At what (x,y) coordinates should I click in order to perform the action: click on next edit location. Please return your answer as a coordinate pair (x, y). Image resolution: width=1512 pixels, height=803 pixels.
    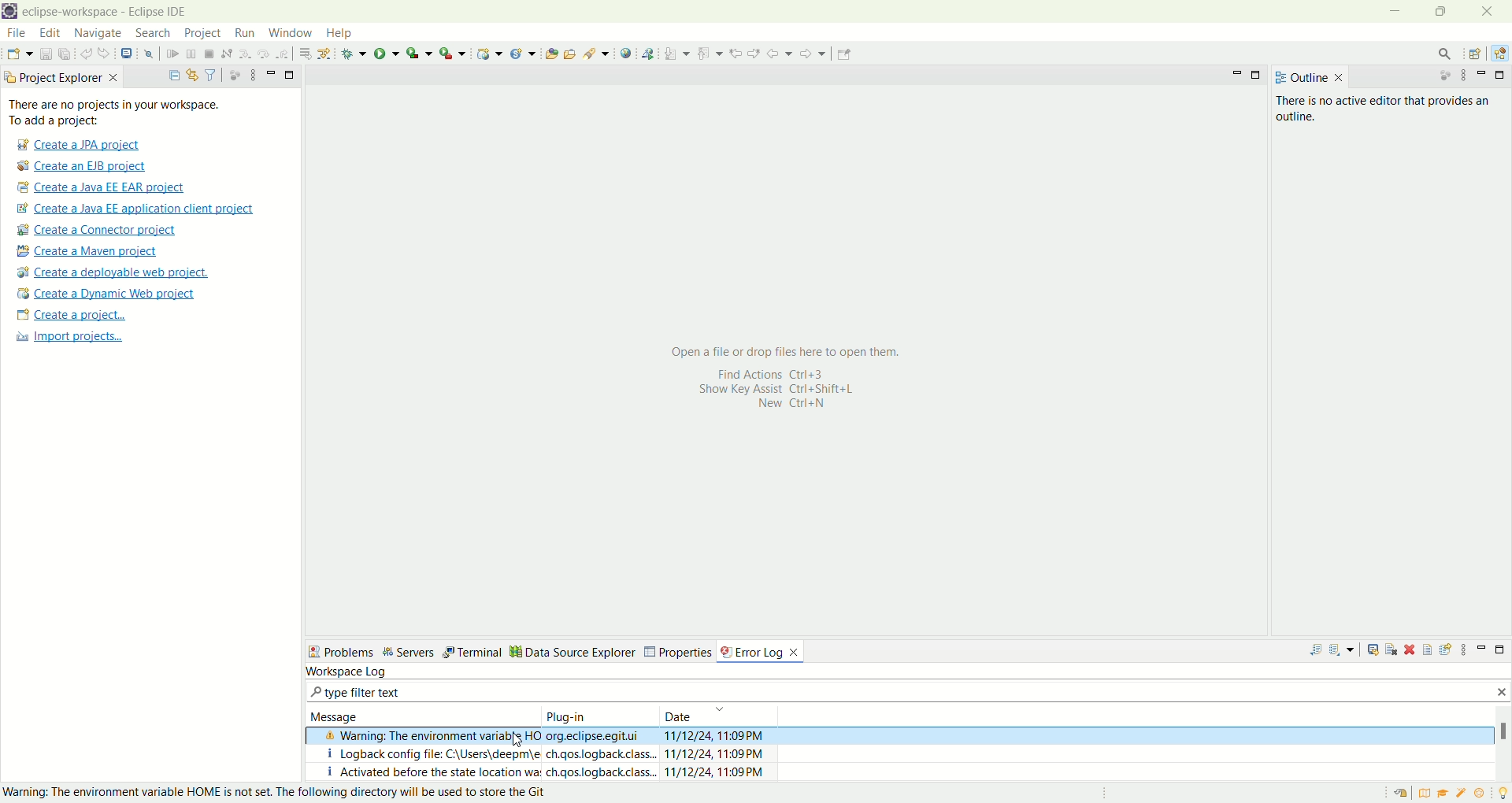
    Looking at the image, I should click on (754, 52).